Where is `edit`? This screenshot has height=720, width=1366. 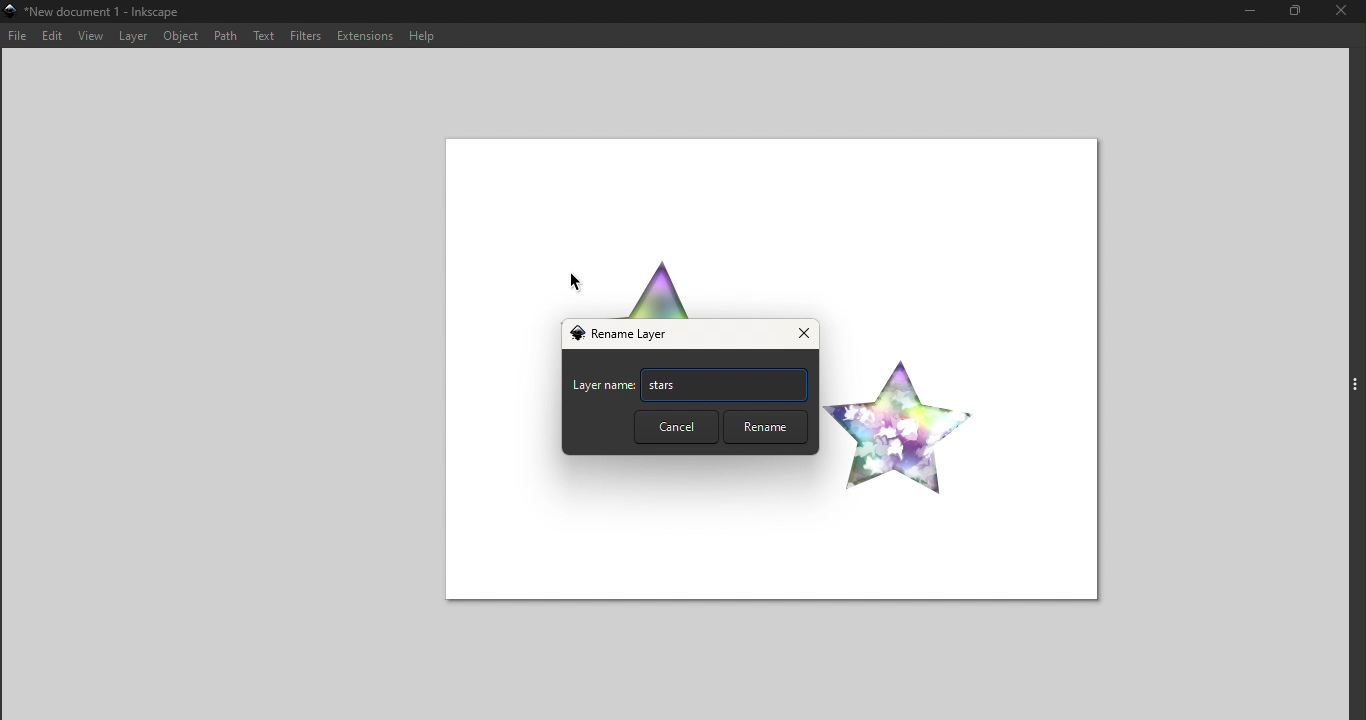 edit is located at coordinates (50, 37).